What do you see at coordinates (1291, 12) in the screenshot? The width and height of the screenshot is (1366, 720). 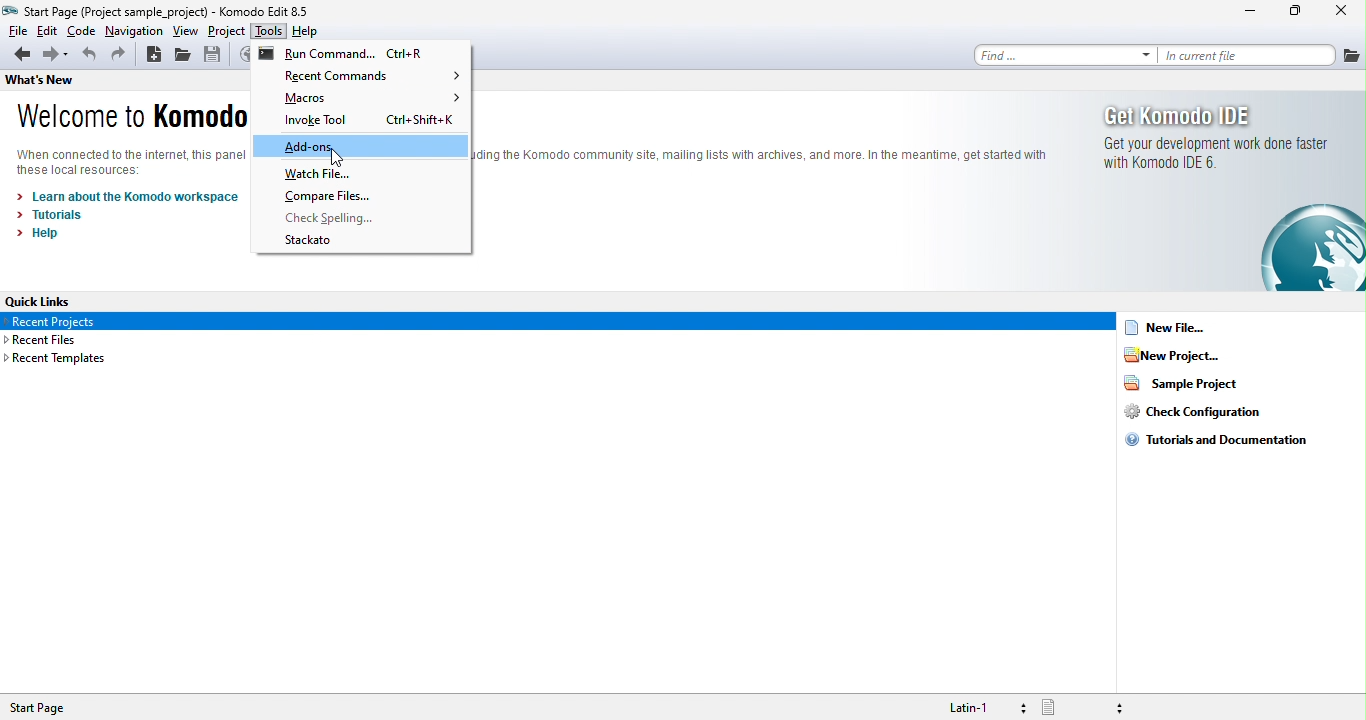 I see `maximize` at bounding box center [1291, 12].